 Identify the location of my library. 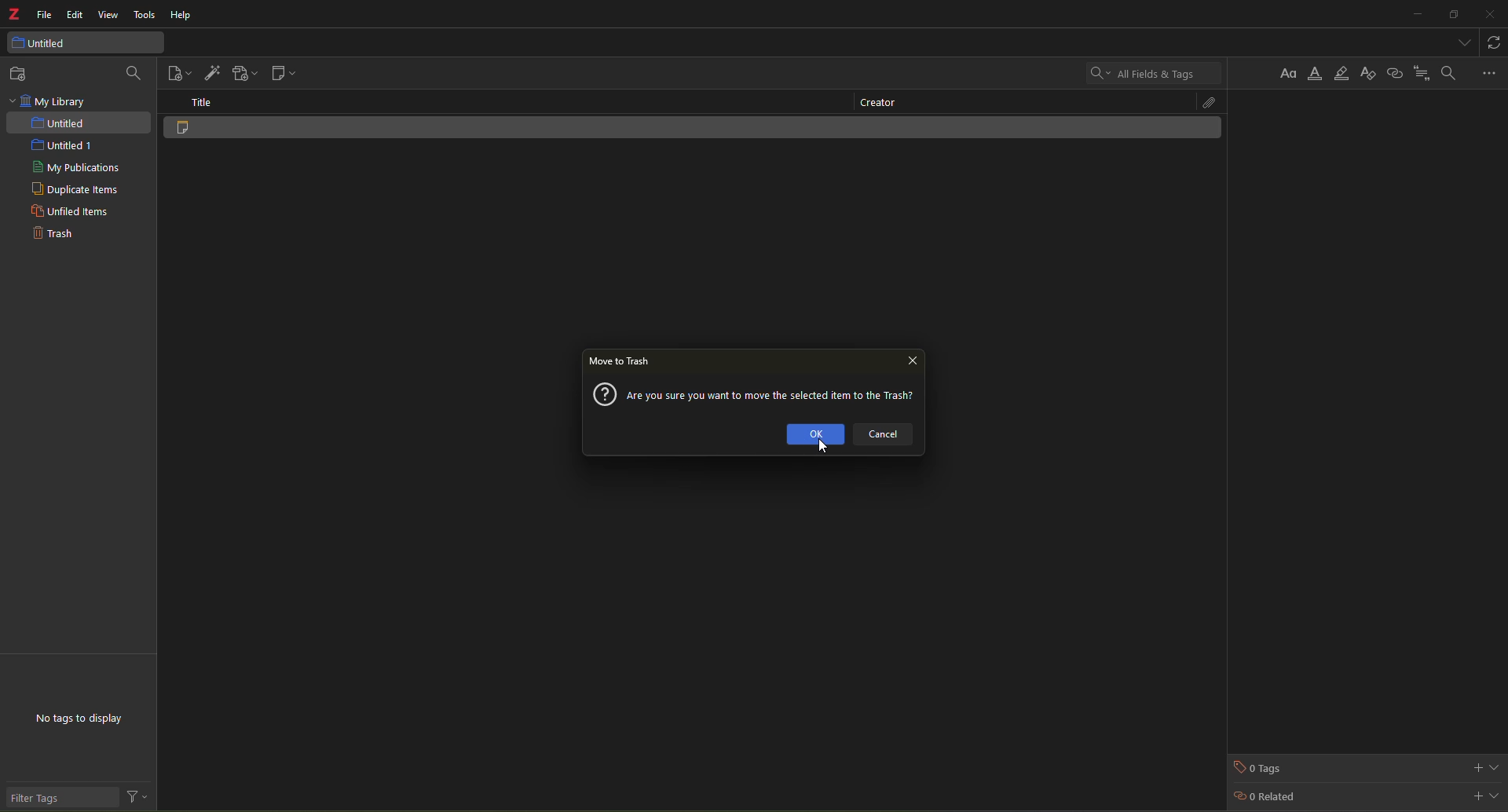
(52, 101).